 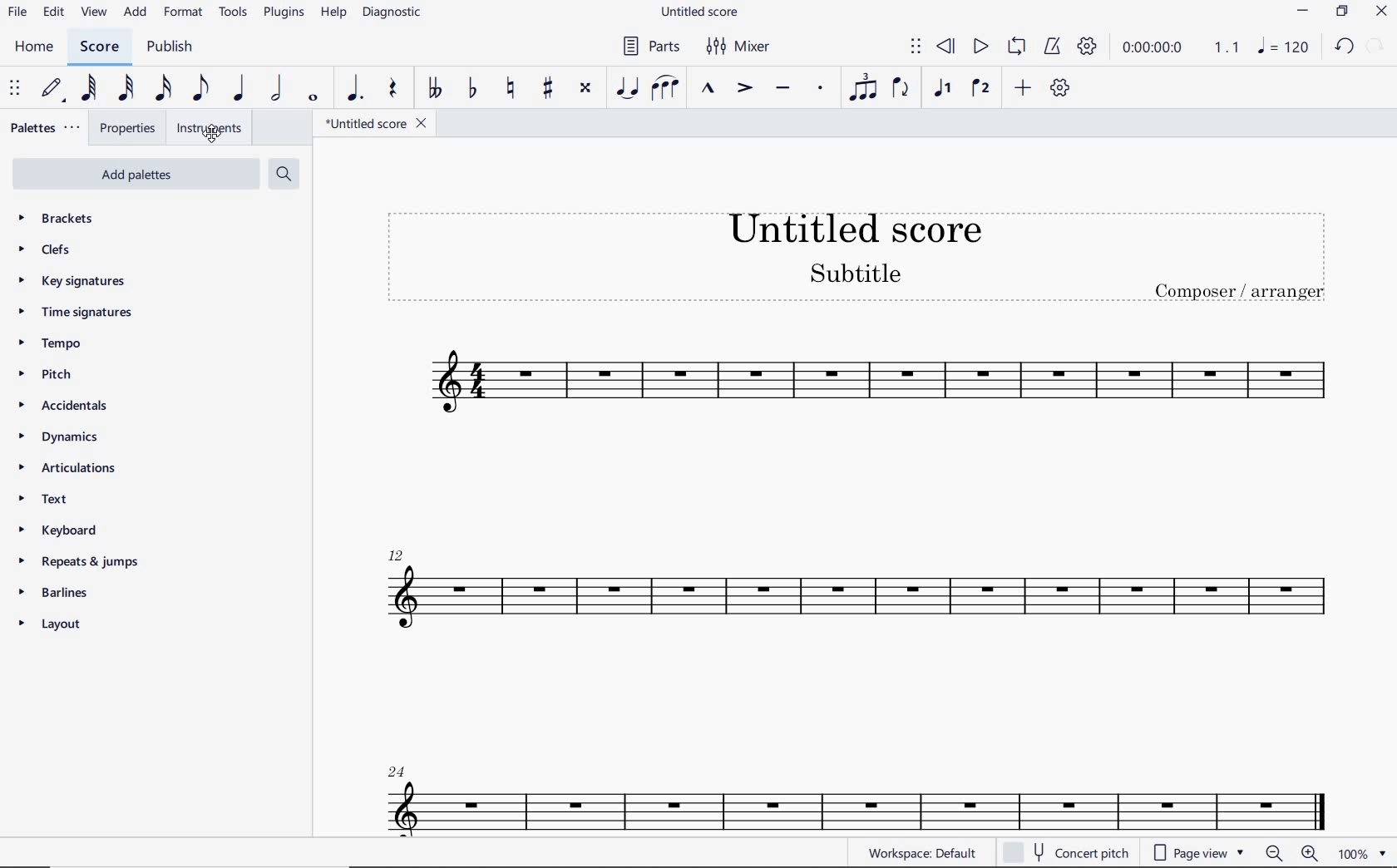 What do you see at coordinates (96, 13) in the screenshot?
I see `view` at bounding box center [96, 13].